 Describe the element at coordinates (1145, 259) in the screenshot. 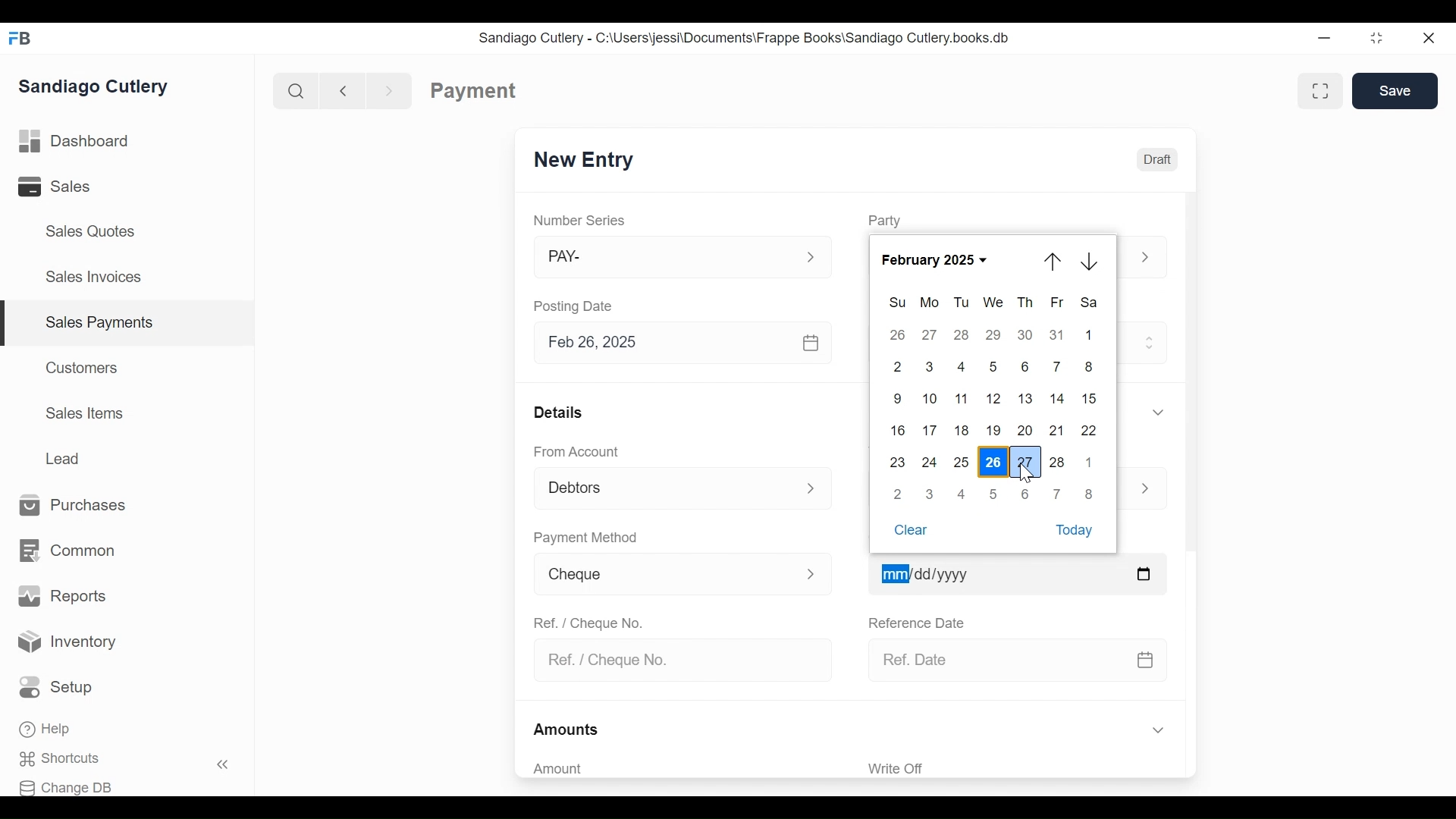

I see `Expand` at that location.